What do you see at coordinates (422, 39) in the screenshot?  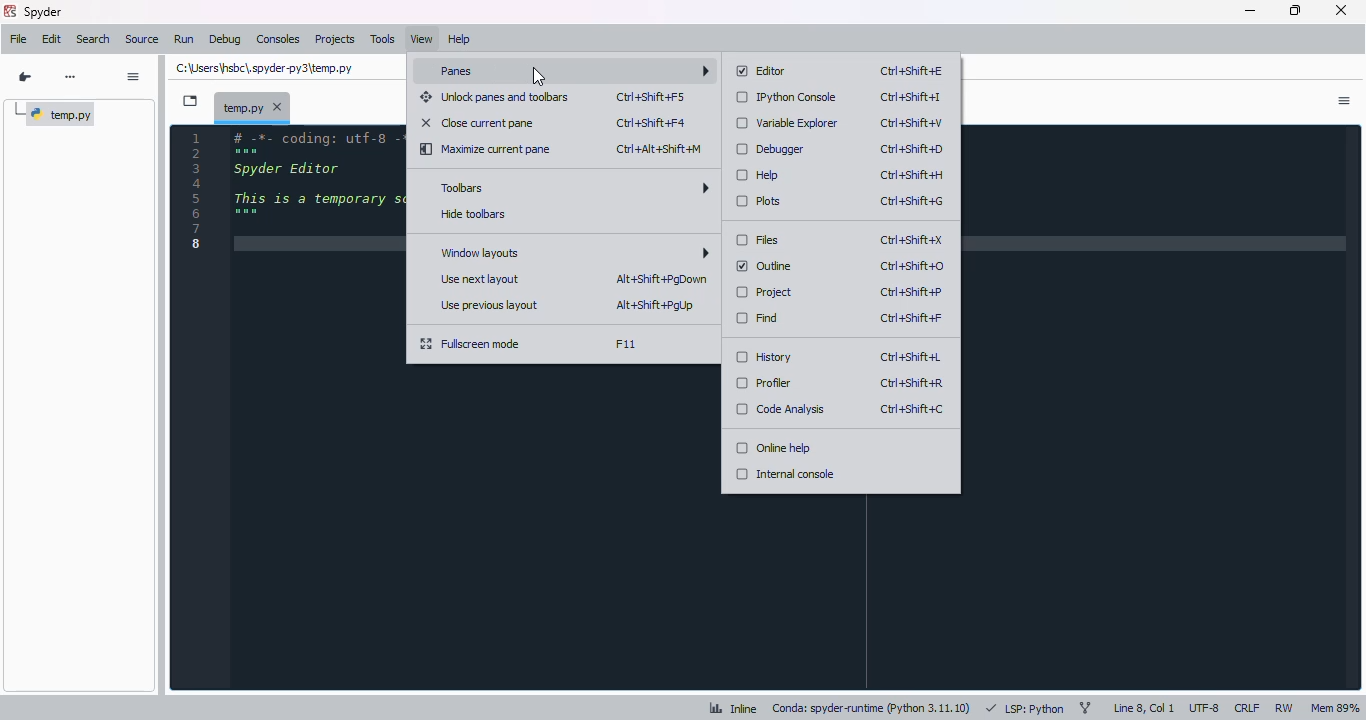 I see `view` at bounding box center [422, 39].